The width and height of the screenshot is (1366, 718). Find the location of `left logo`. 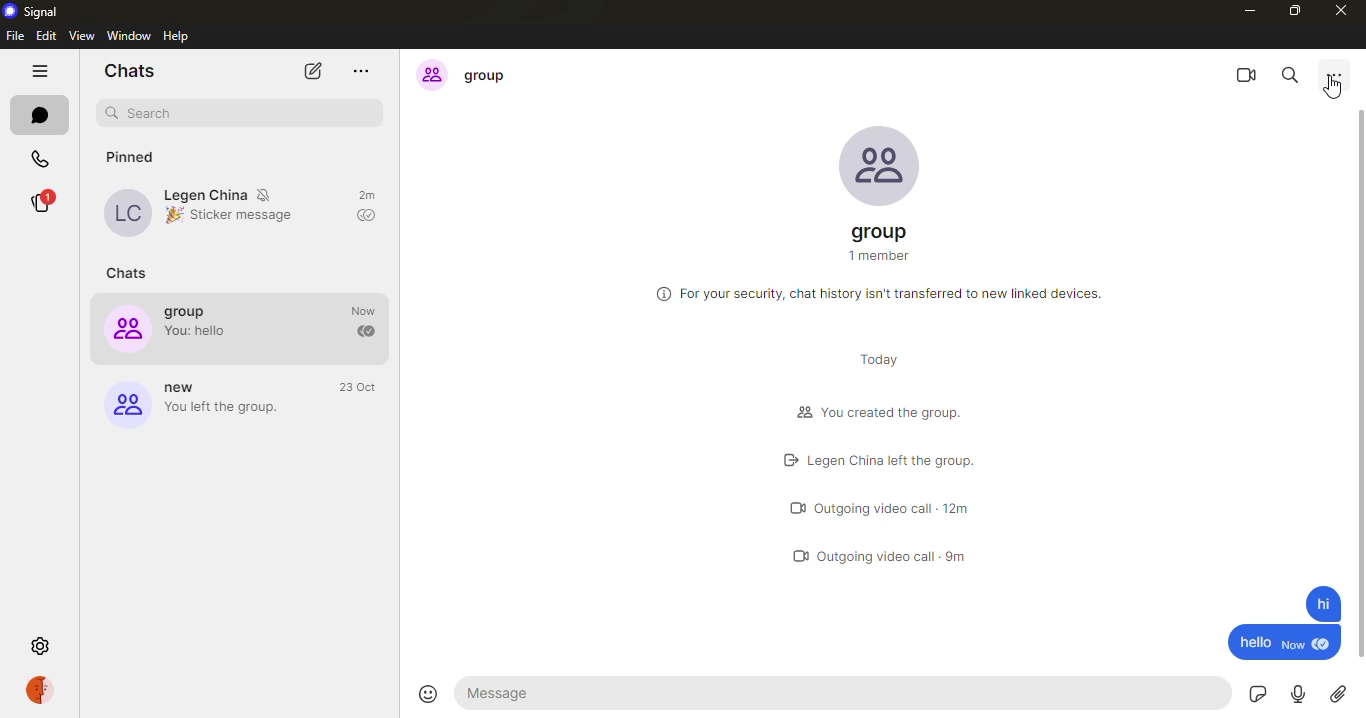

left logo is located at coordinates (784, 462).